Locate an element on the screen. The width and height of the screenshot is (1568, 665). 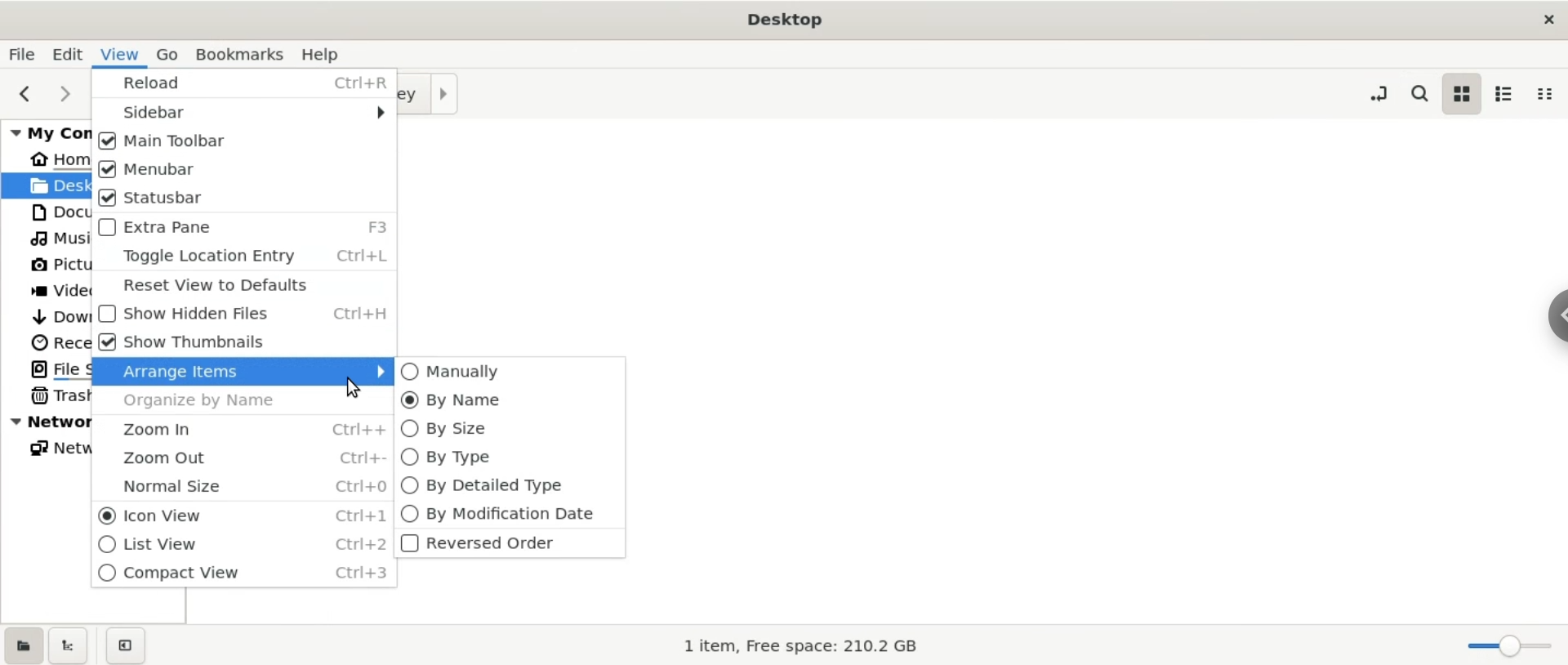
arrage items is located at coordinates (242, 372).